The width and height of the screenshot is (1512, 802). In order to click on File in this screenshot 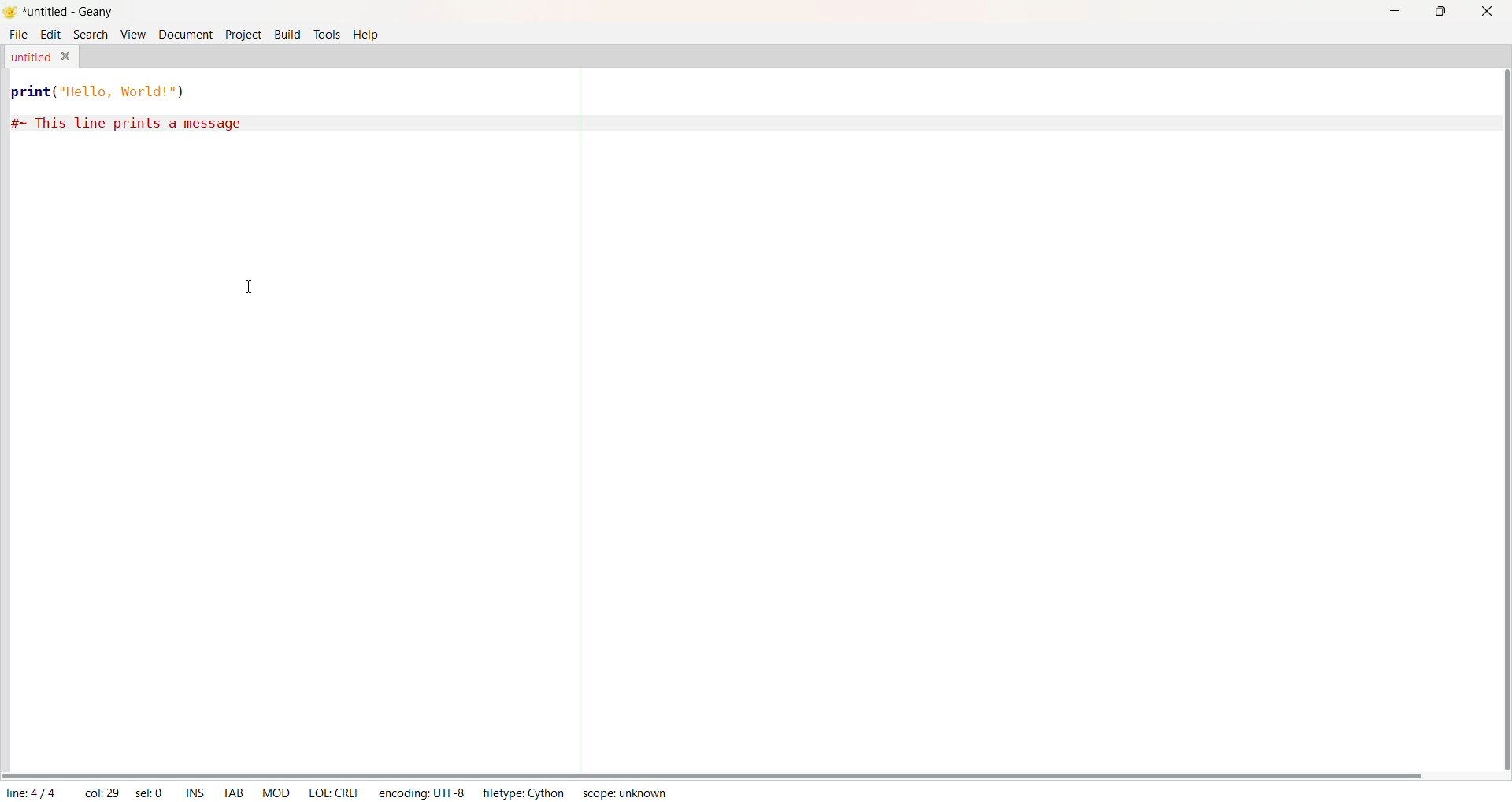, I will do `click(15, 35)`.